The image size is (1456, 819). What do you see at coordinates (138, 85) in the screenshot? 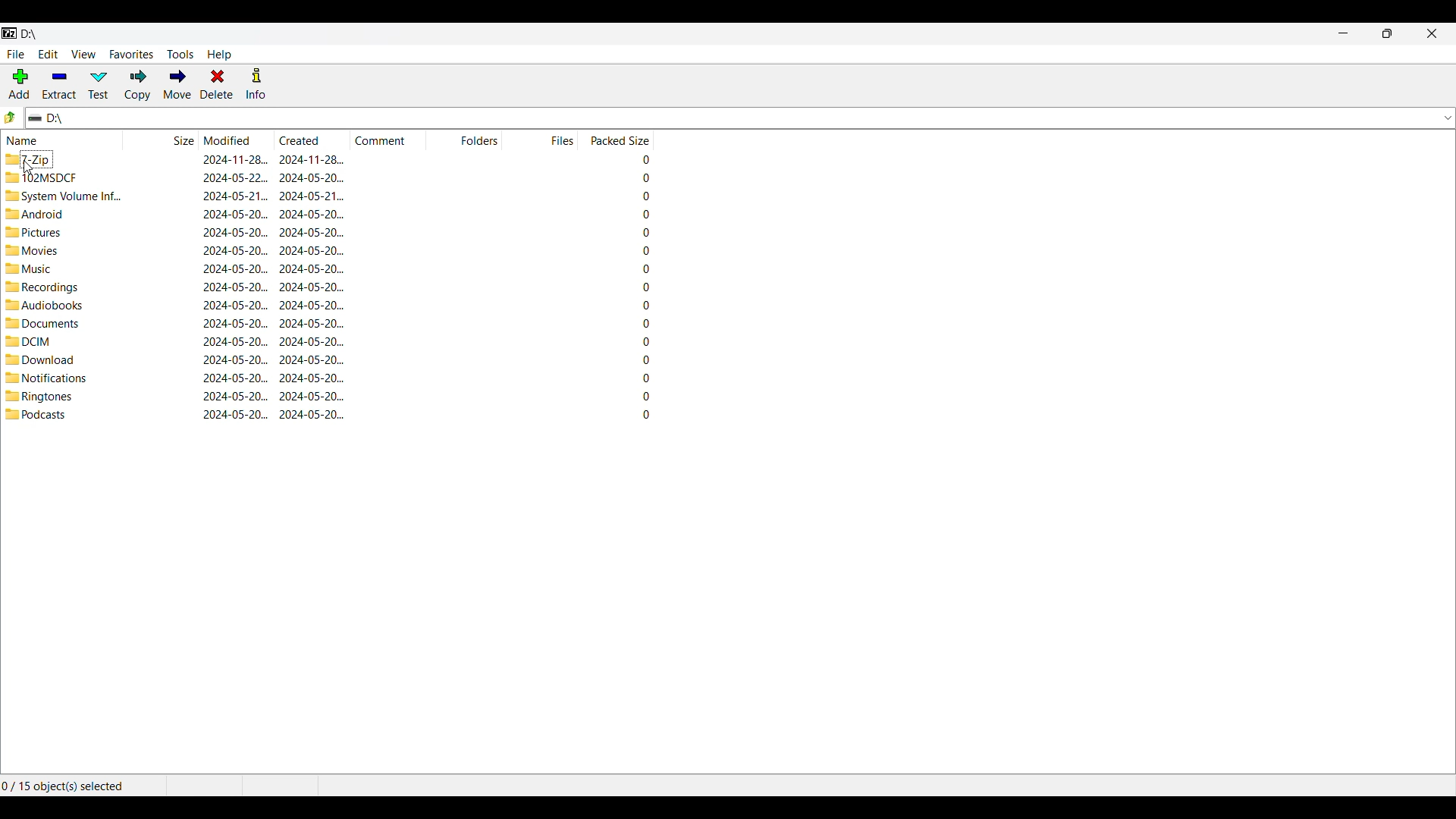
I see `Copy` at bounding box center [138, 85].